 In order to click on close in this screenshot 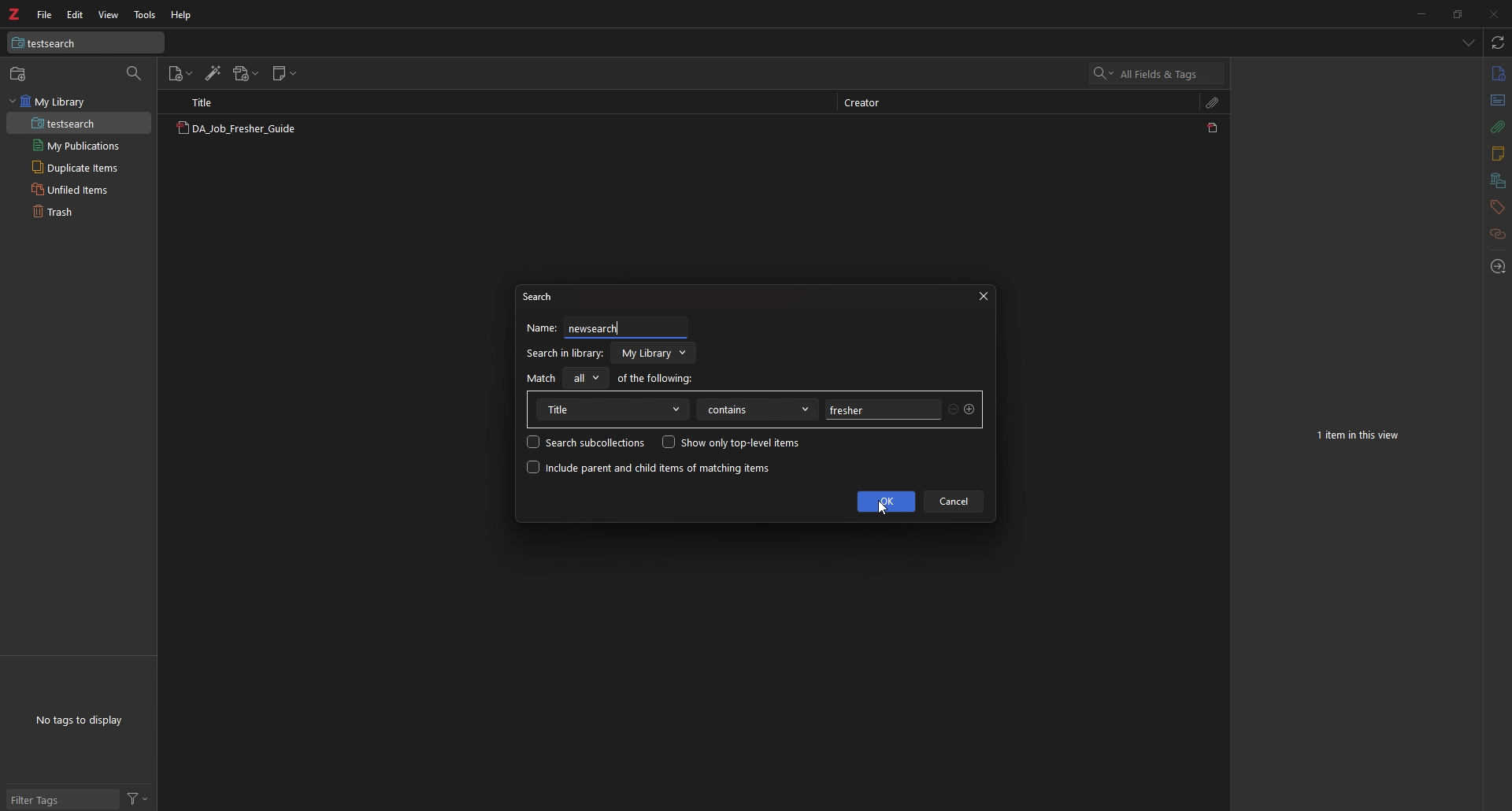, I will do `click(1492, 13)`.